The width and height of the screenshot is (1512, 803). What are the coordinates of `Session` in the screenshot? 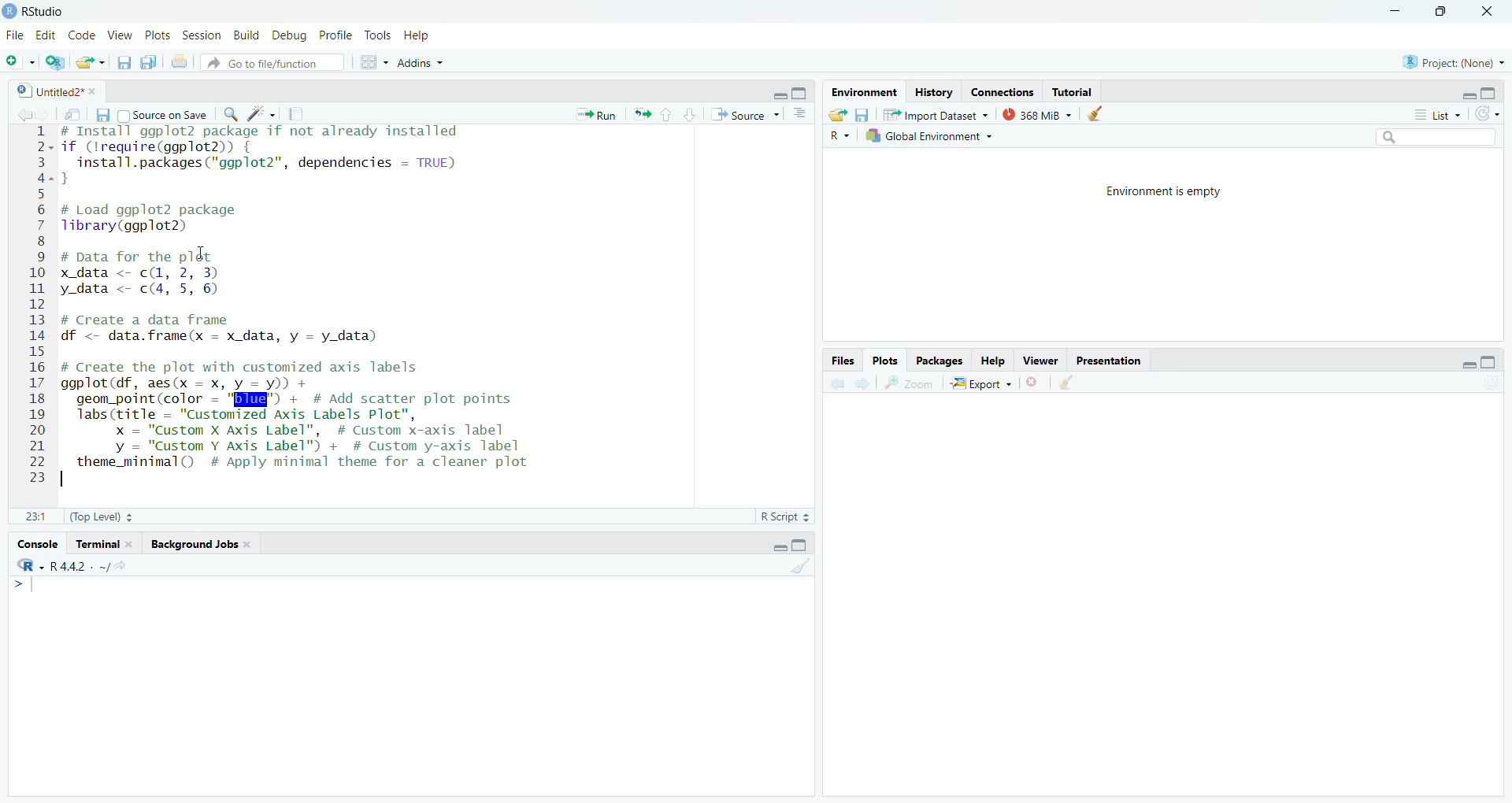 It's located at (201, 35).